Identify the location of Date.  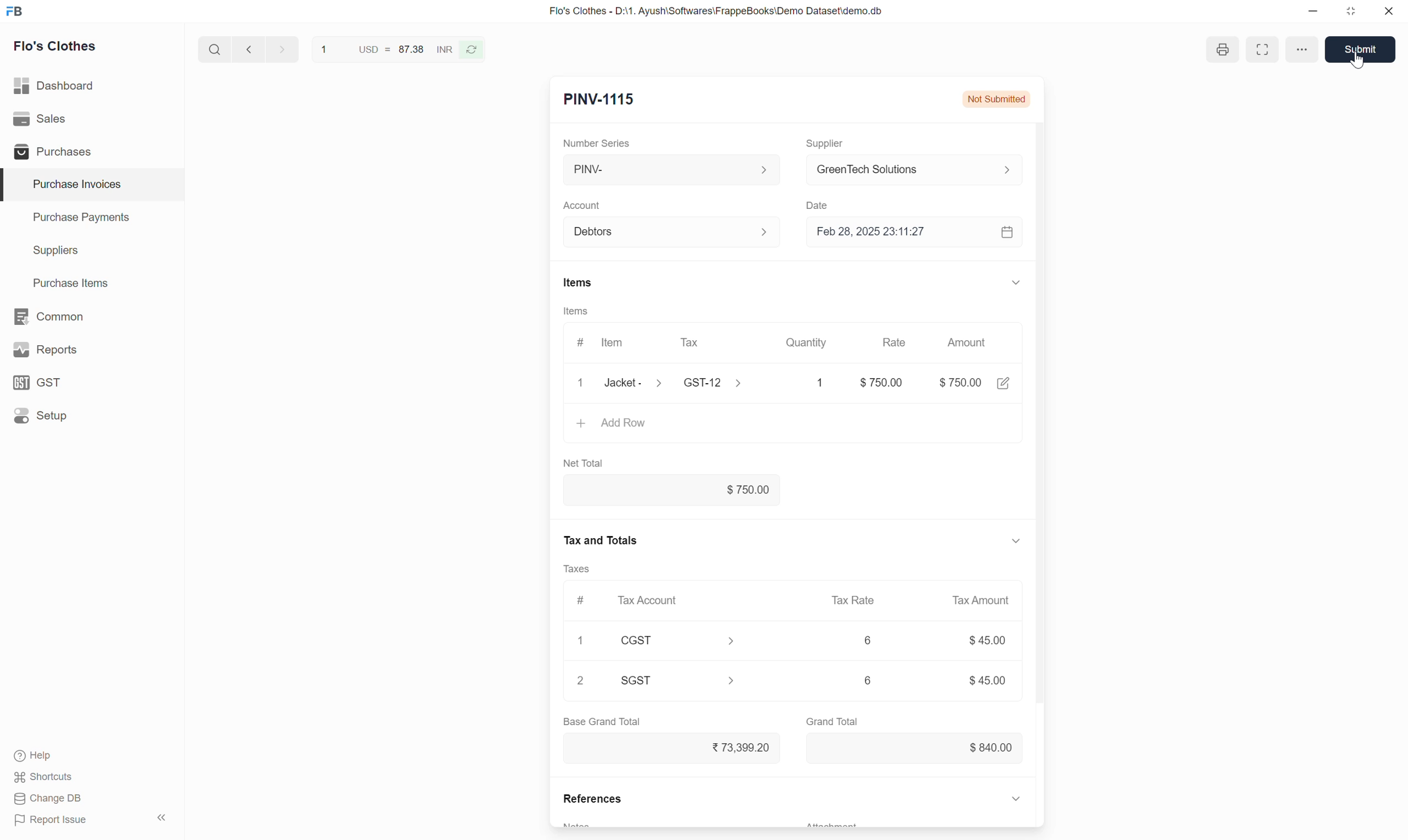
(820, 206).